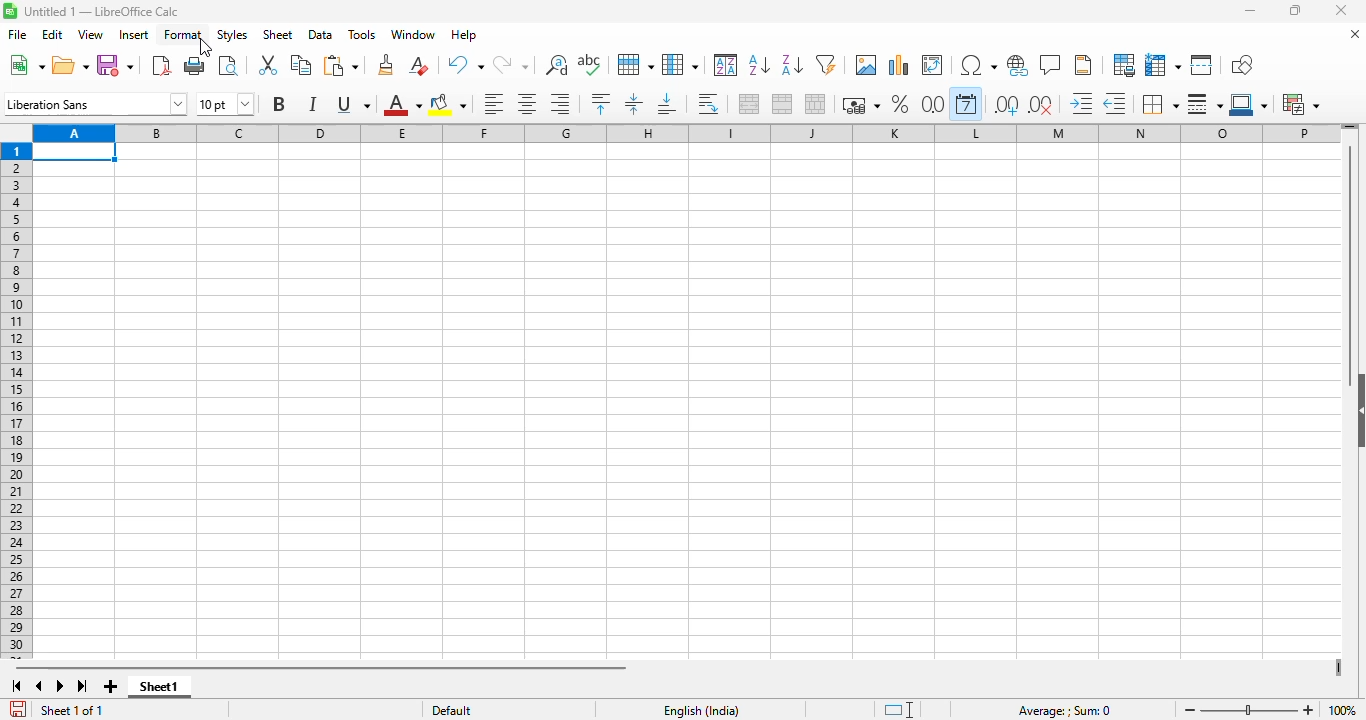 This screenshot has width=1366, height=720. What do you see at coordinates (1294, 11) in the screenshot?
I see `maximize` at bounding box center [1294, 11].